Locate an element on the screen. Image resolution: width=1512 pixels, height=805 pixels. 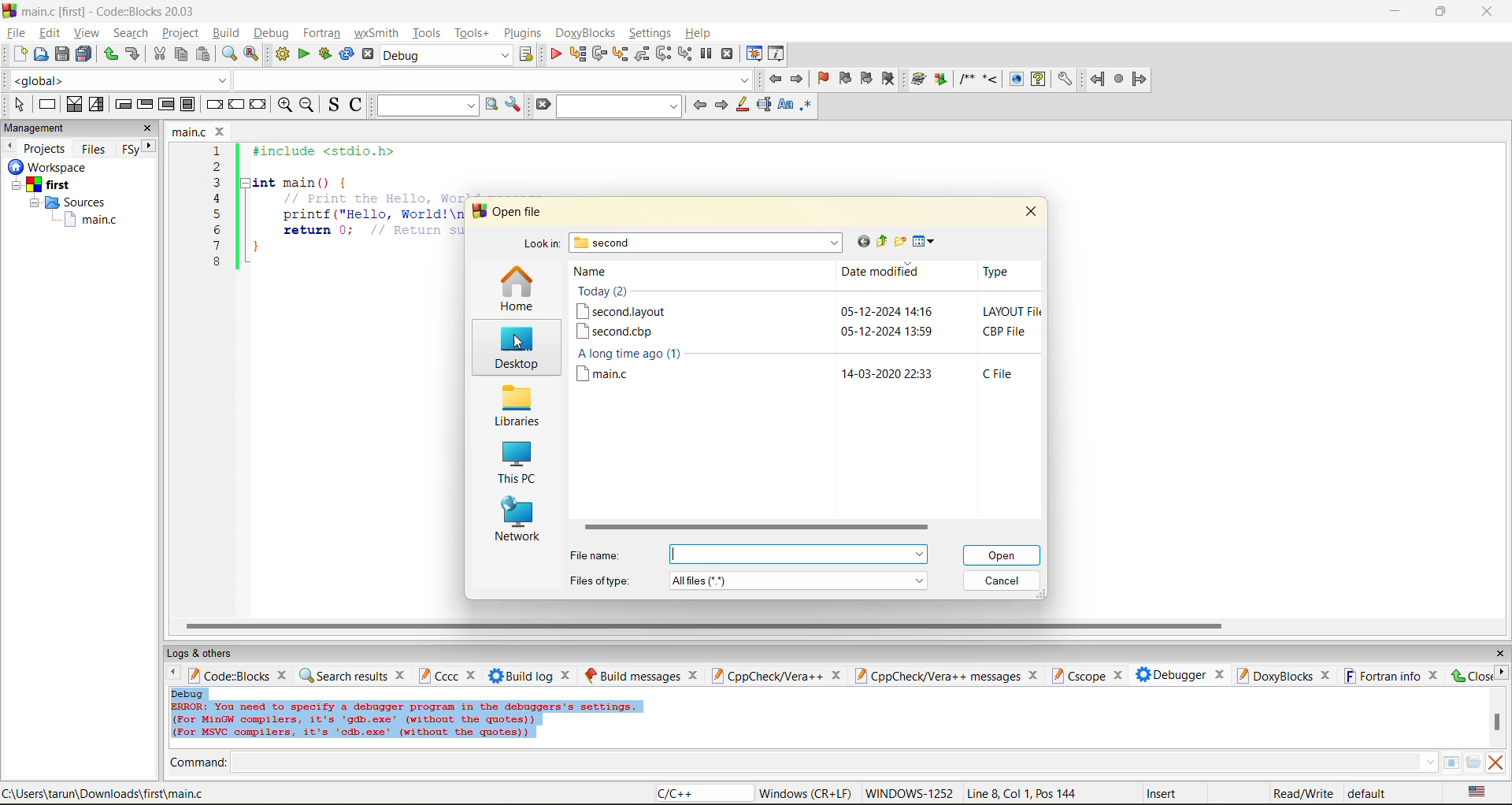
this pc is located at coordinates (515, 465).